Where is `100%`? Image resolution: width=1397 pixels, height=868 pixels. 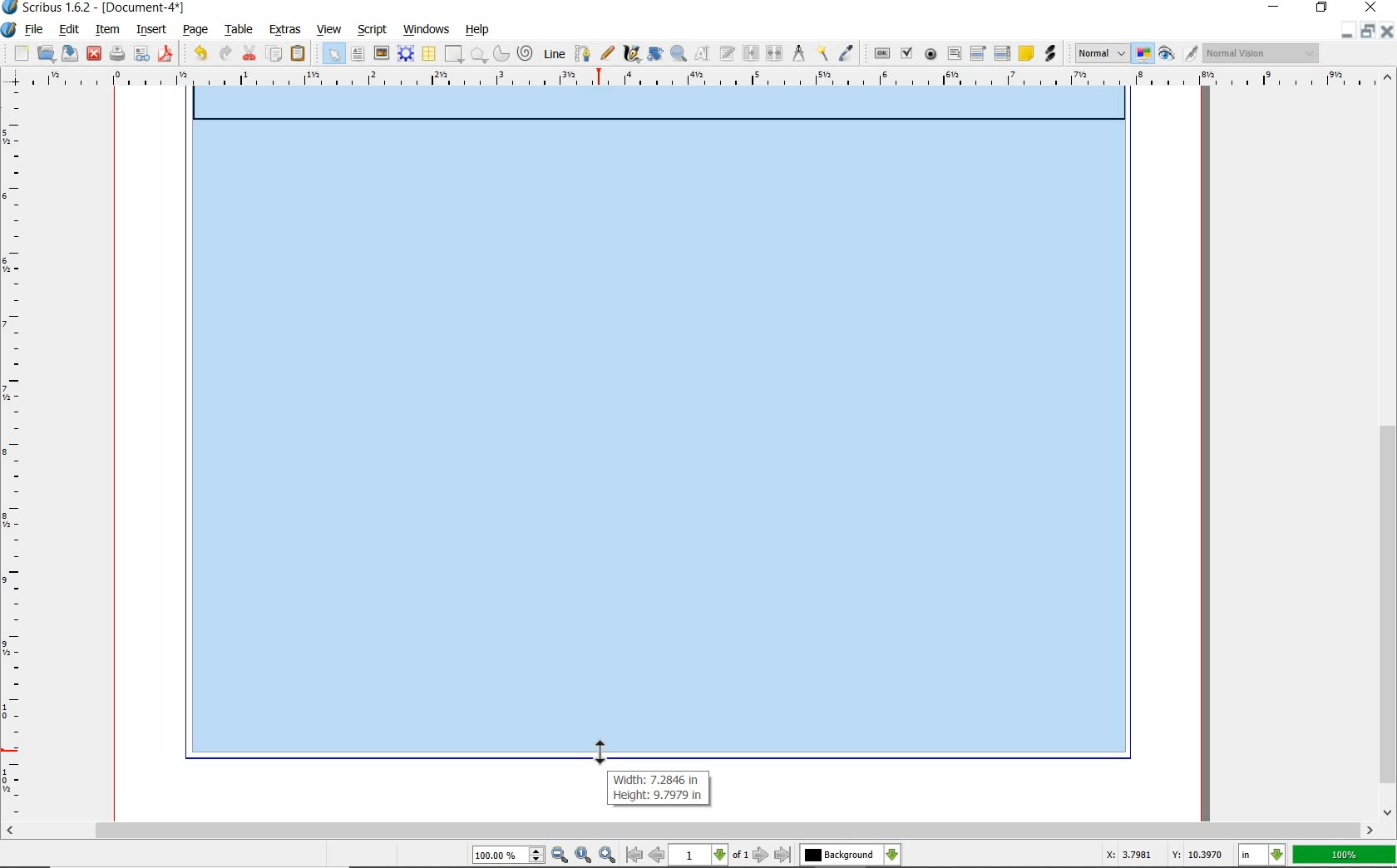 100% is located at coordinates (1344, 855).